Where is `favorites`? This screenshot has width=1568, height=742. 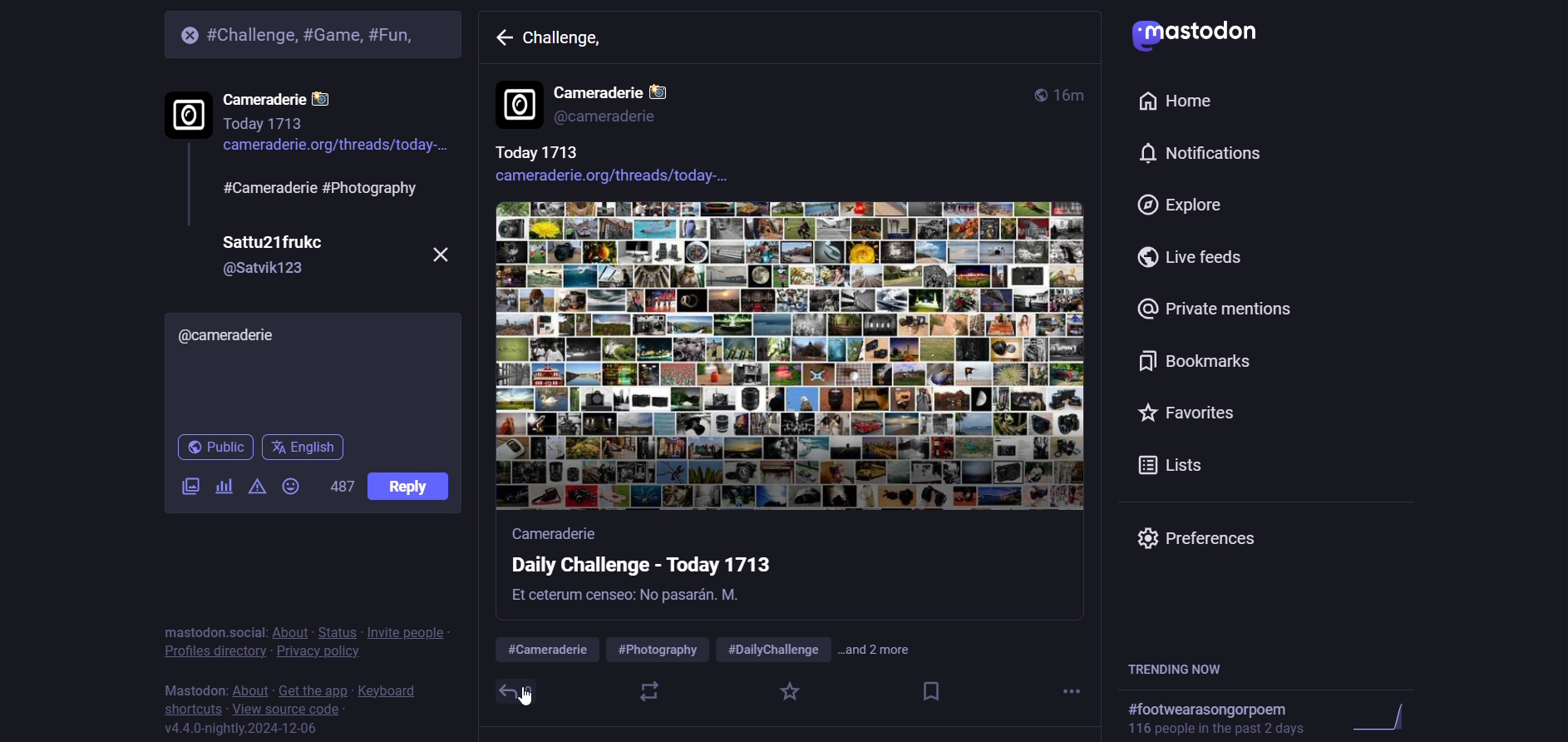 favorites is located at coordinates (1187, 411).